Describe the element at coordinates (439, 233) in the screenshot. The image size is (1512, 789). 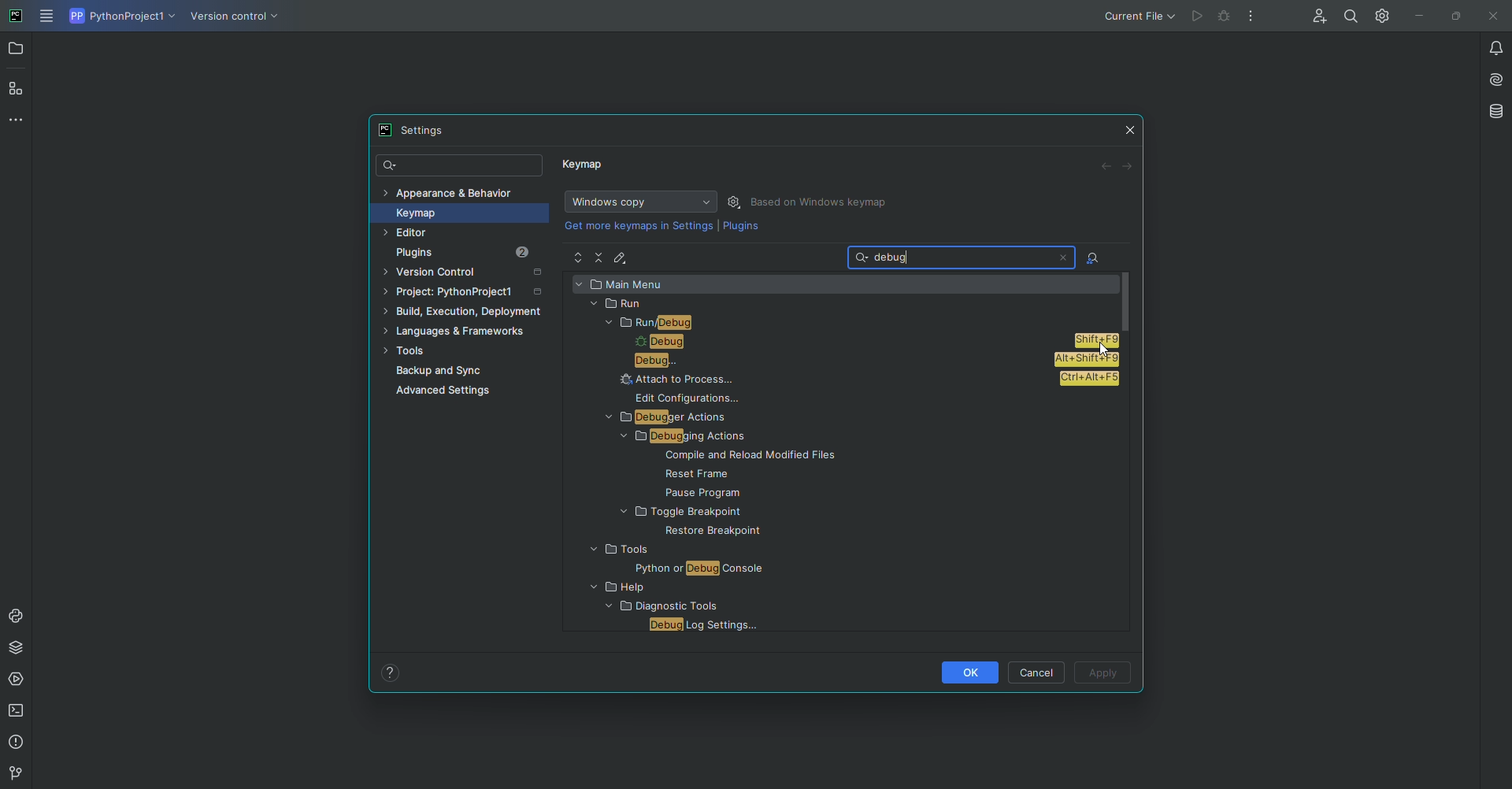
I see `Editor` at that location.